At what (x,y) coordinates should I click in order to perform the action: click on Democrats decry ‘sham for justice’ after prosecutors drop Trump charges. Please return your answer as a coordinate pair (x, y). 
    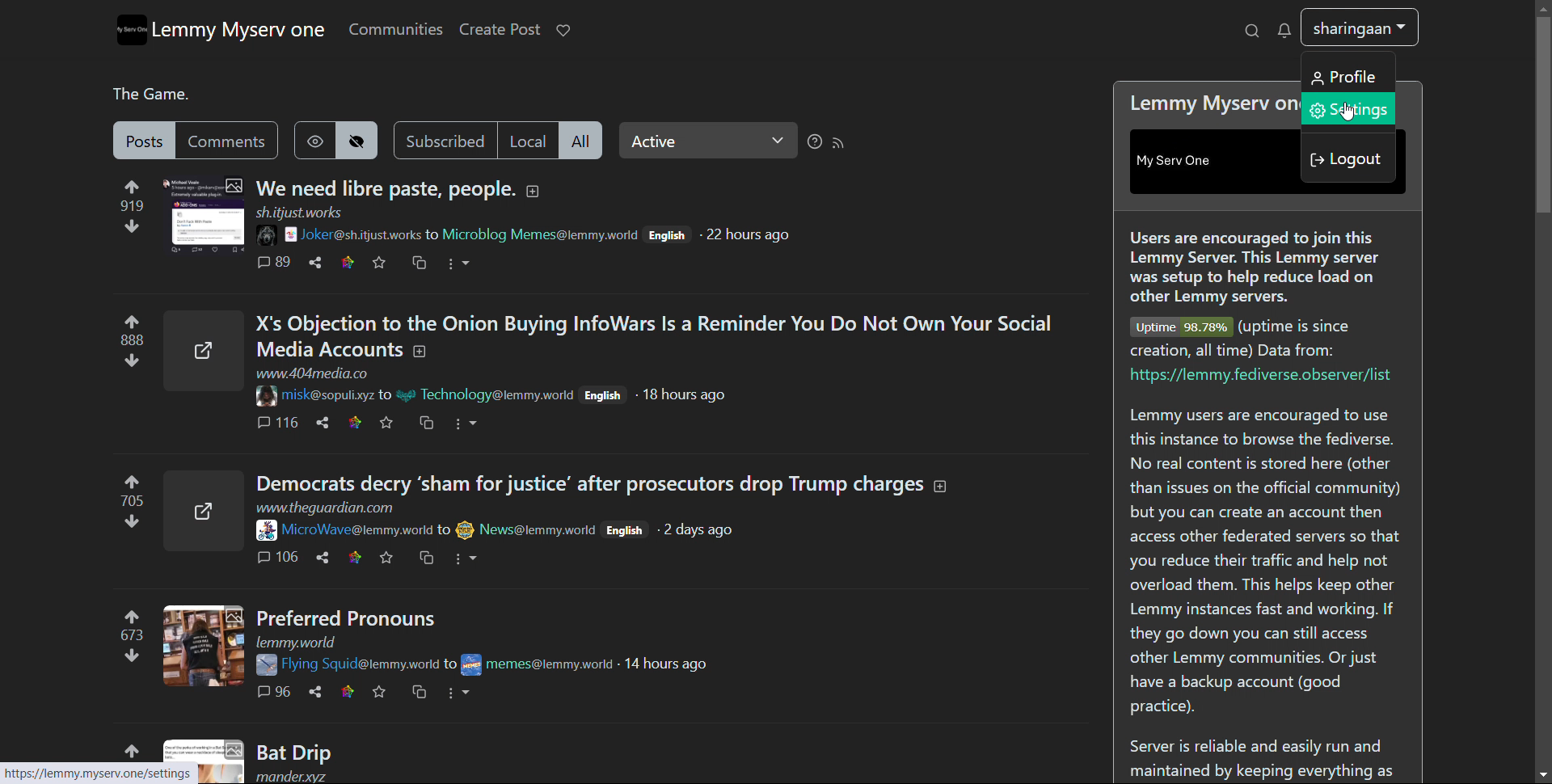
    Looking at the image, I should click on (605, 483).